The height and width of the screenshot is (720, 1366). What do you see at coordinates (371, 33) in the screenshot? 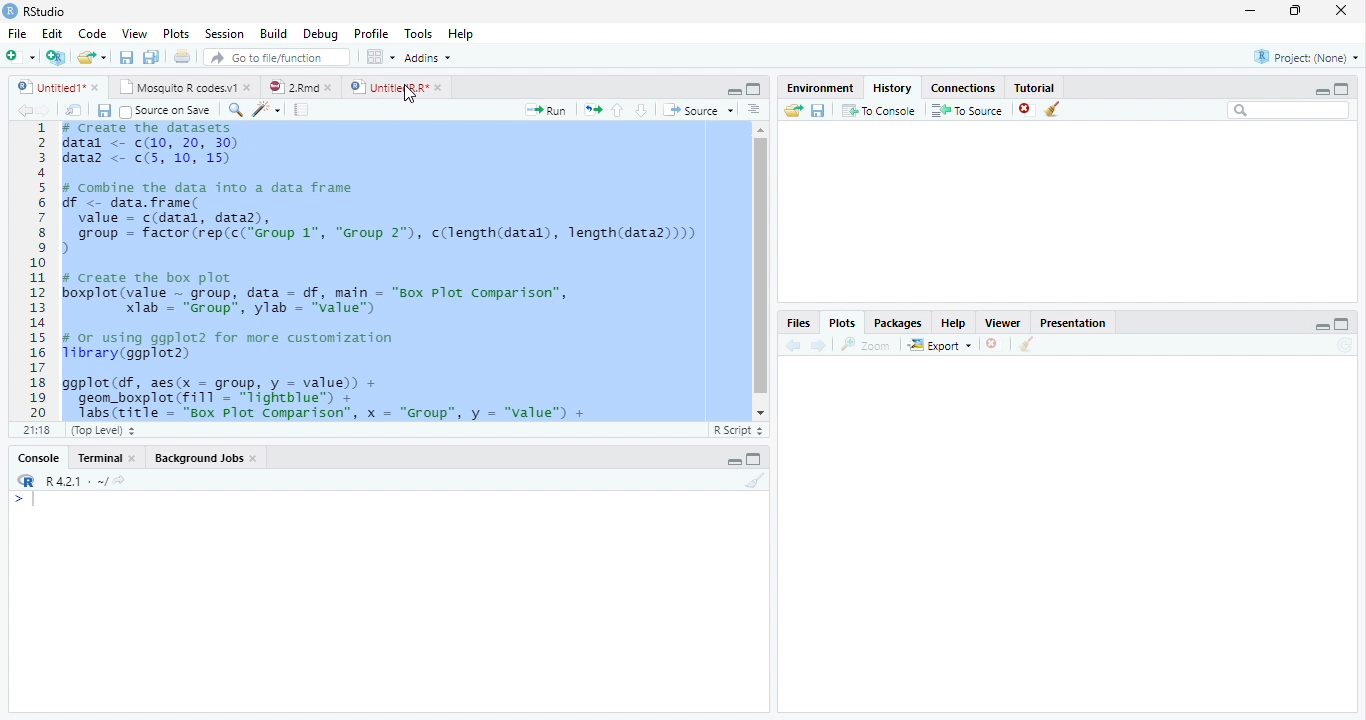
I see `Profile` at bounding box center [371, 33].